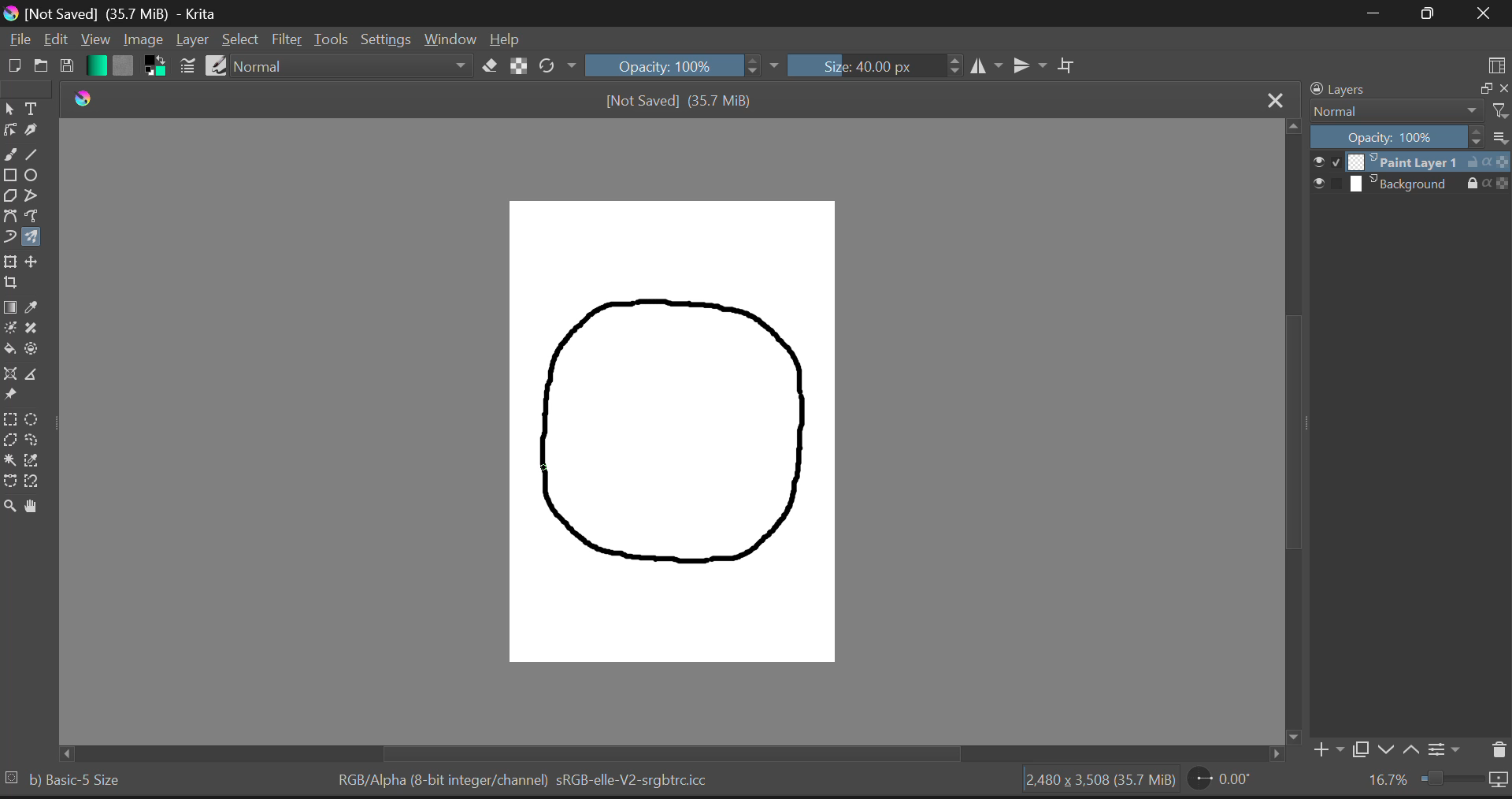 The width and height of the screenshot is (1512, 799). What do you see at coordinates (38, 418) in the screenshot?
I see `Circular Selection` at bounding box center [38, 418].